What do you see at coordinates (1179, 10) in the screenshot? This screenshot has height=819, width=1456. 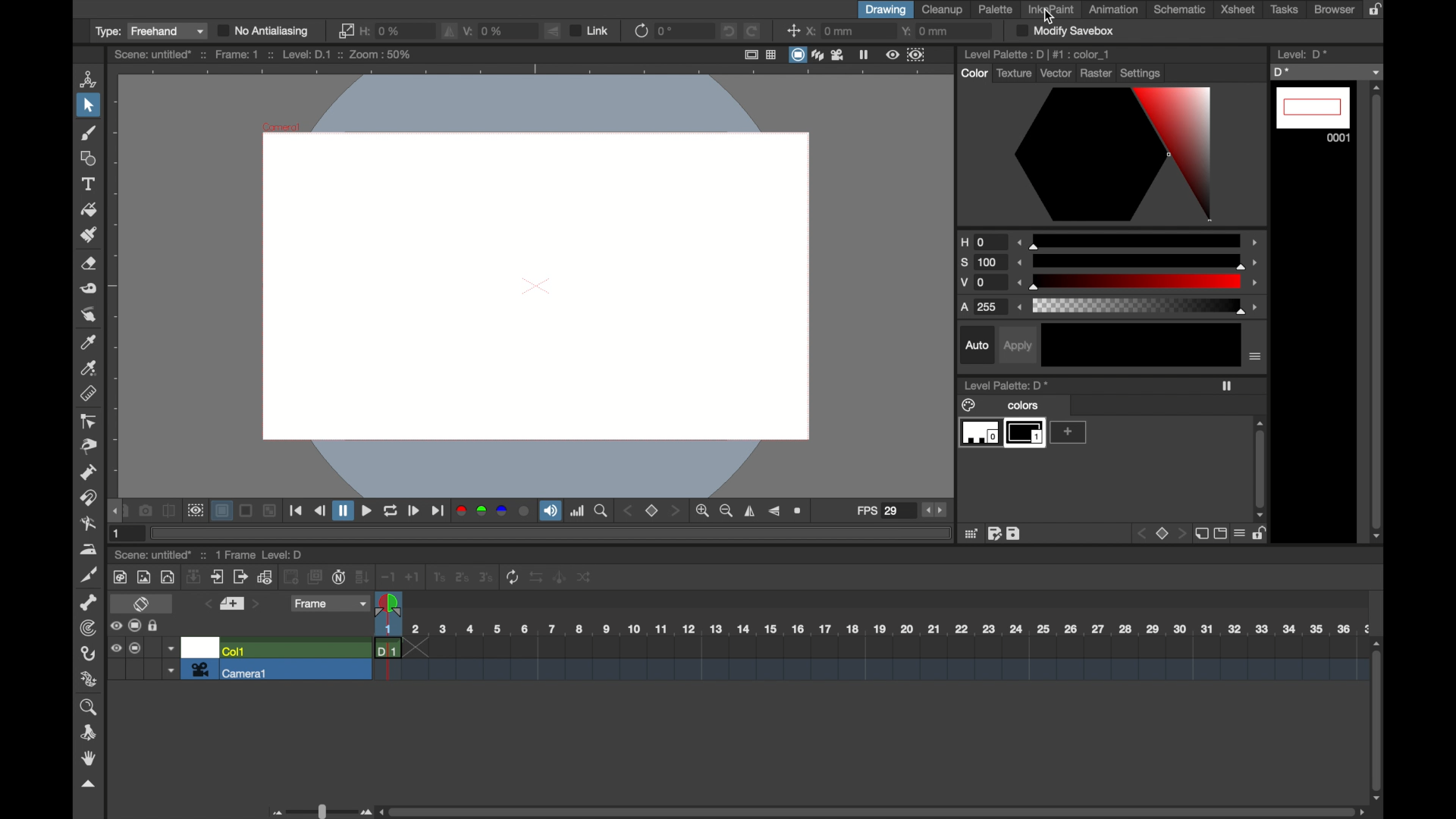 I see `schematic` at bounding box center [1179, 10].